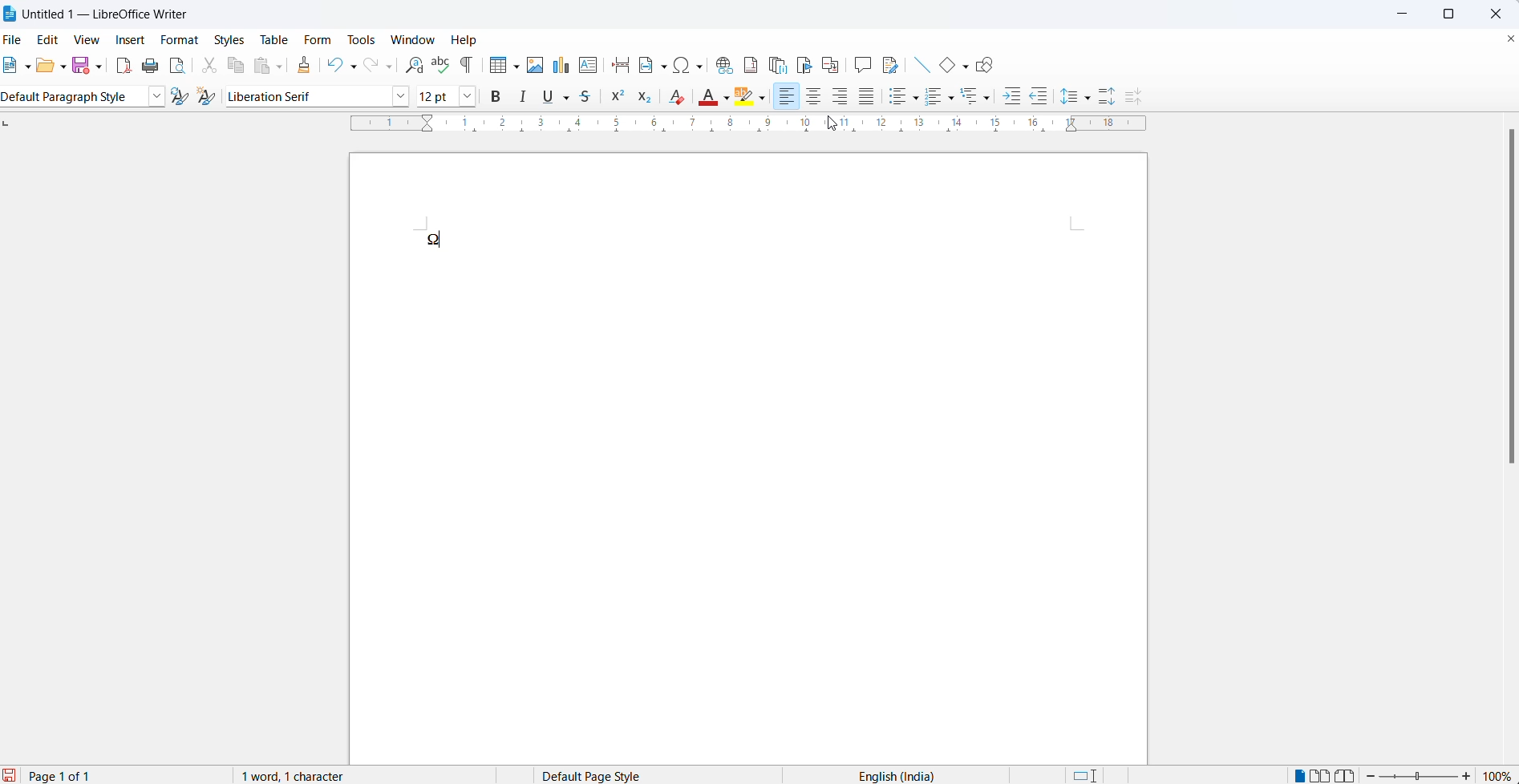 This screenshot has height=784, width=1519. I want to click on subscript, so click(646, 98).